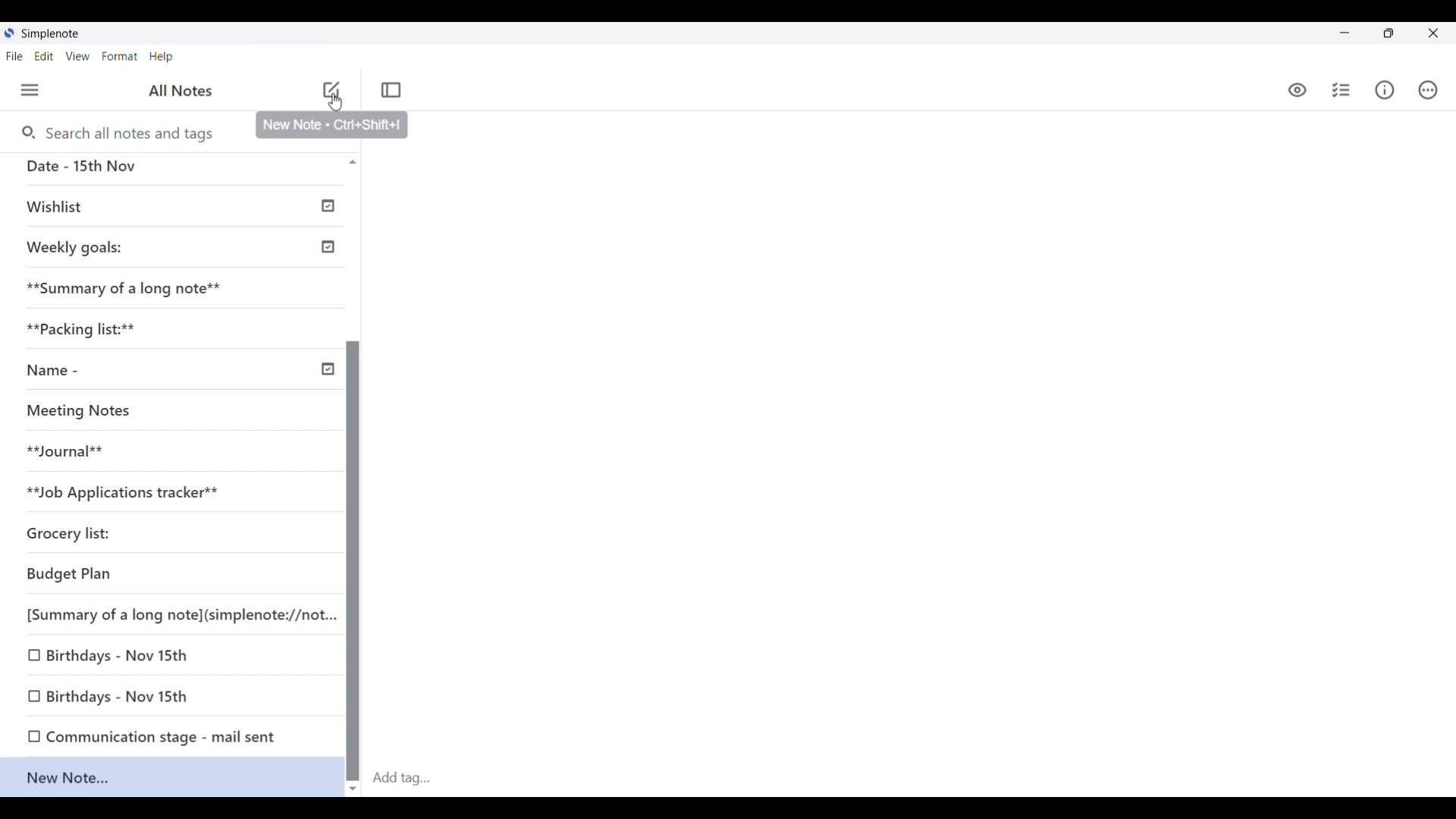  Describe the element at coordinates (30, 89) in the screenshot. I see `Menu` at that location.